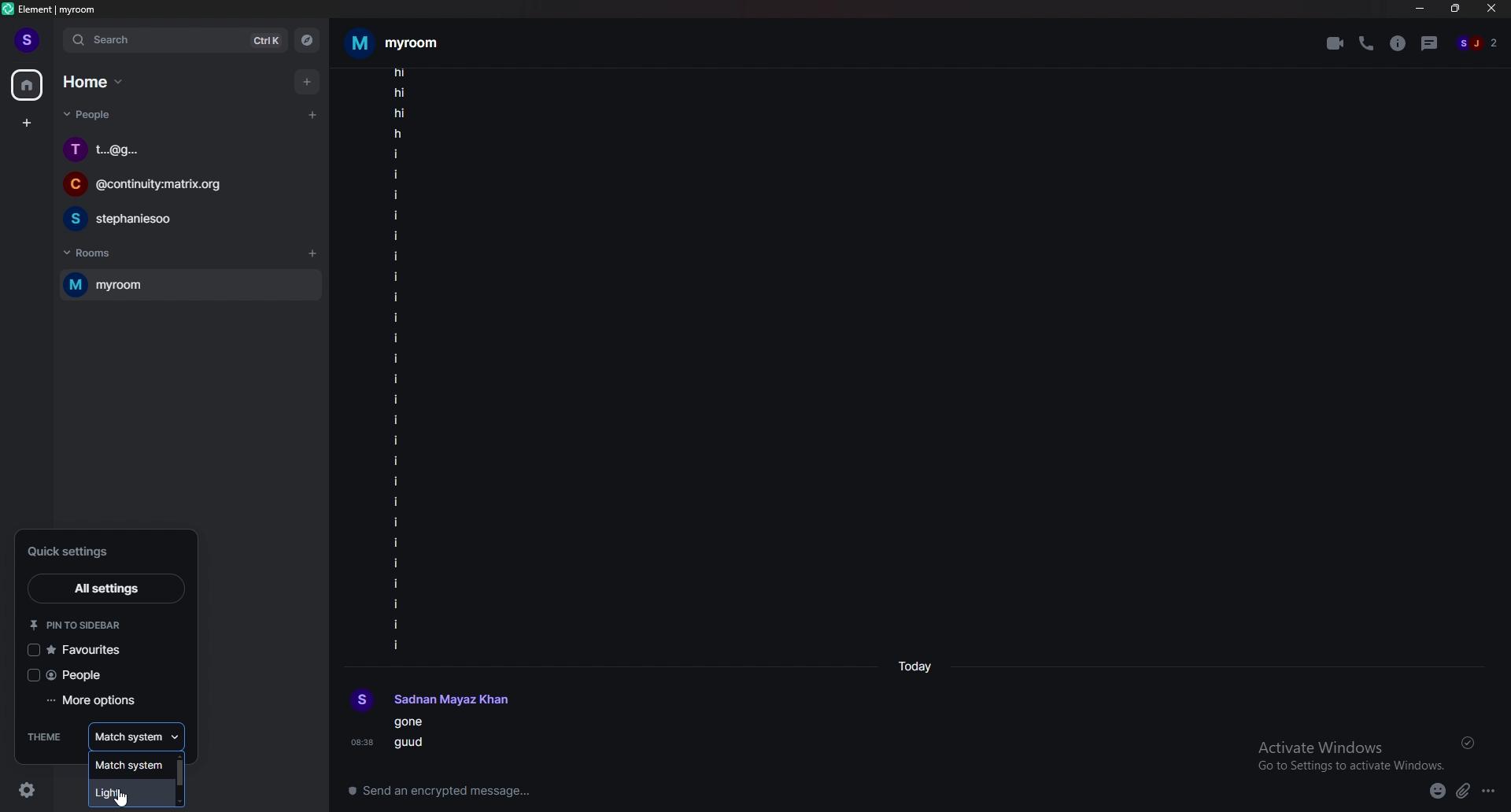 This screenshot has height=812, width=1511. I want to click on people, so click(91, 113).